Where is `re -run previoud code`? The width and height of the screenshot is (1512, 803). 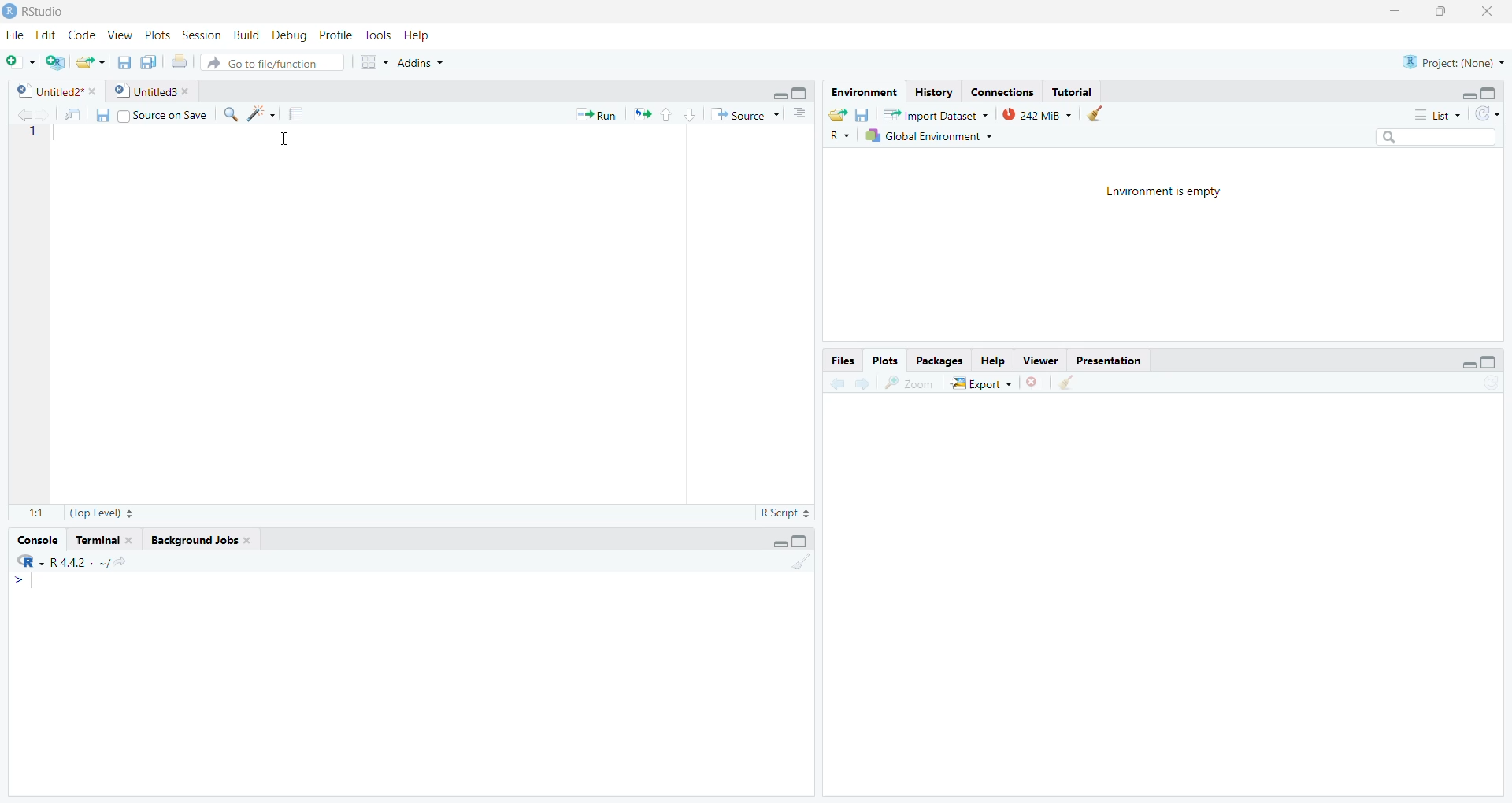 re -run previoud code is located at coordinates (642, 113).